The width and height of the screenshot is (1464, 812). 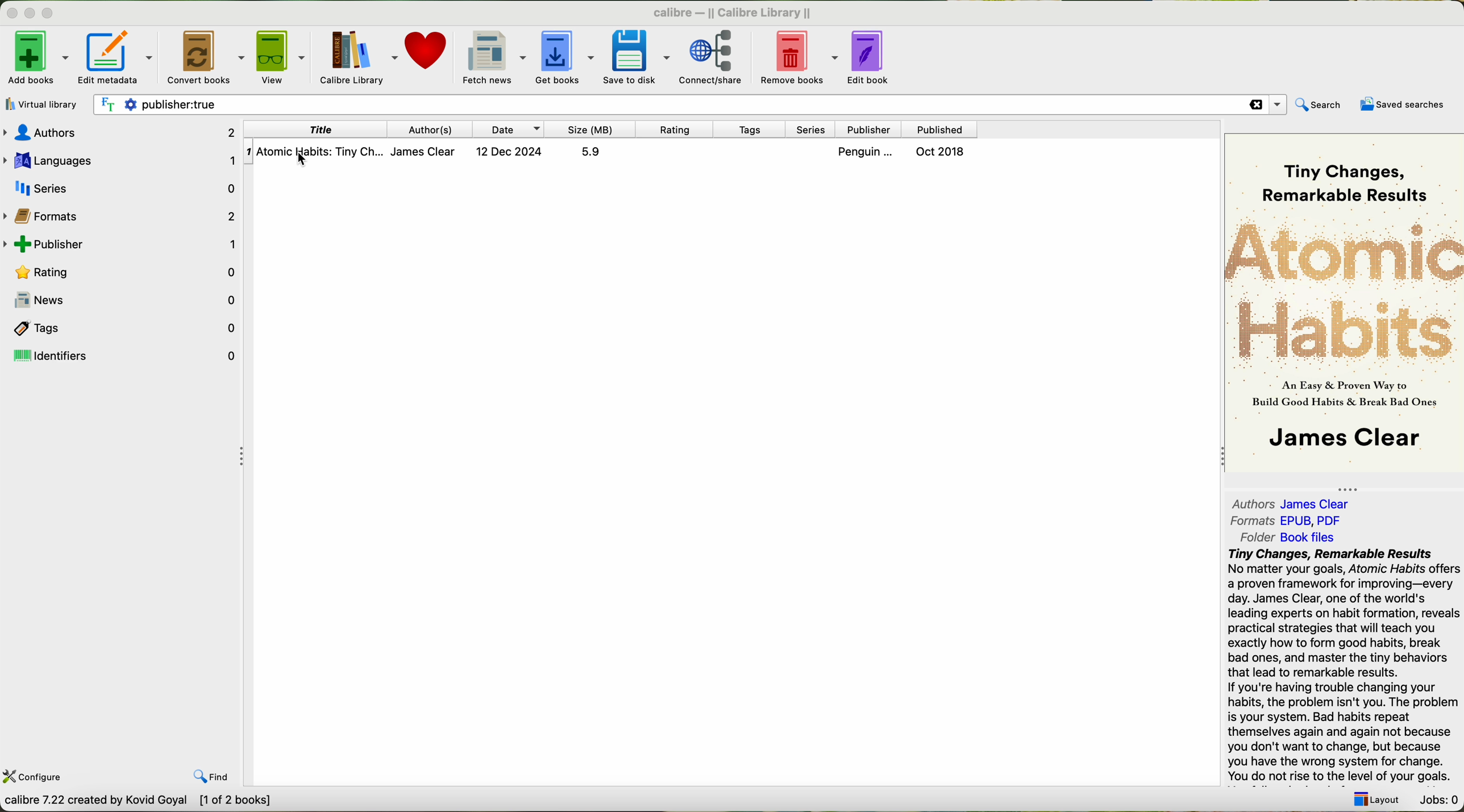 I want to click on news, so click(x=123, y=301).